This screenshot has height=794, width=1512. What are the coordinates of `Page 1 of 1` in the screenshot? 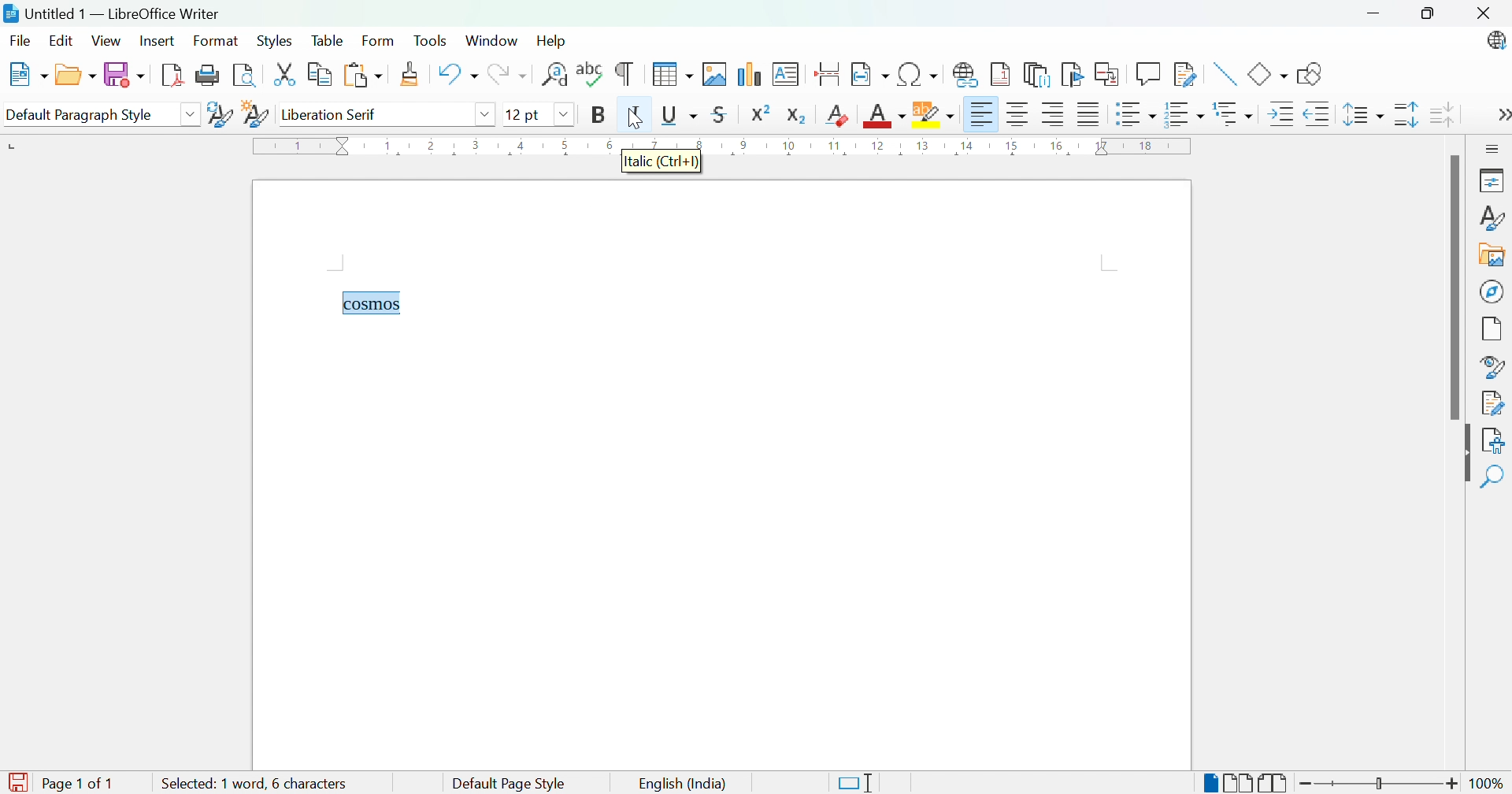 It's located at (60, 783).